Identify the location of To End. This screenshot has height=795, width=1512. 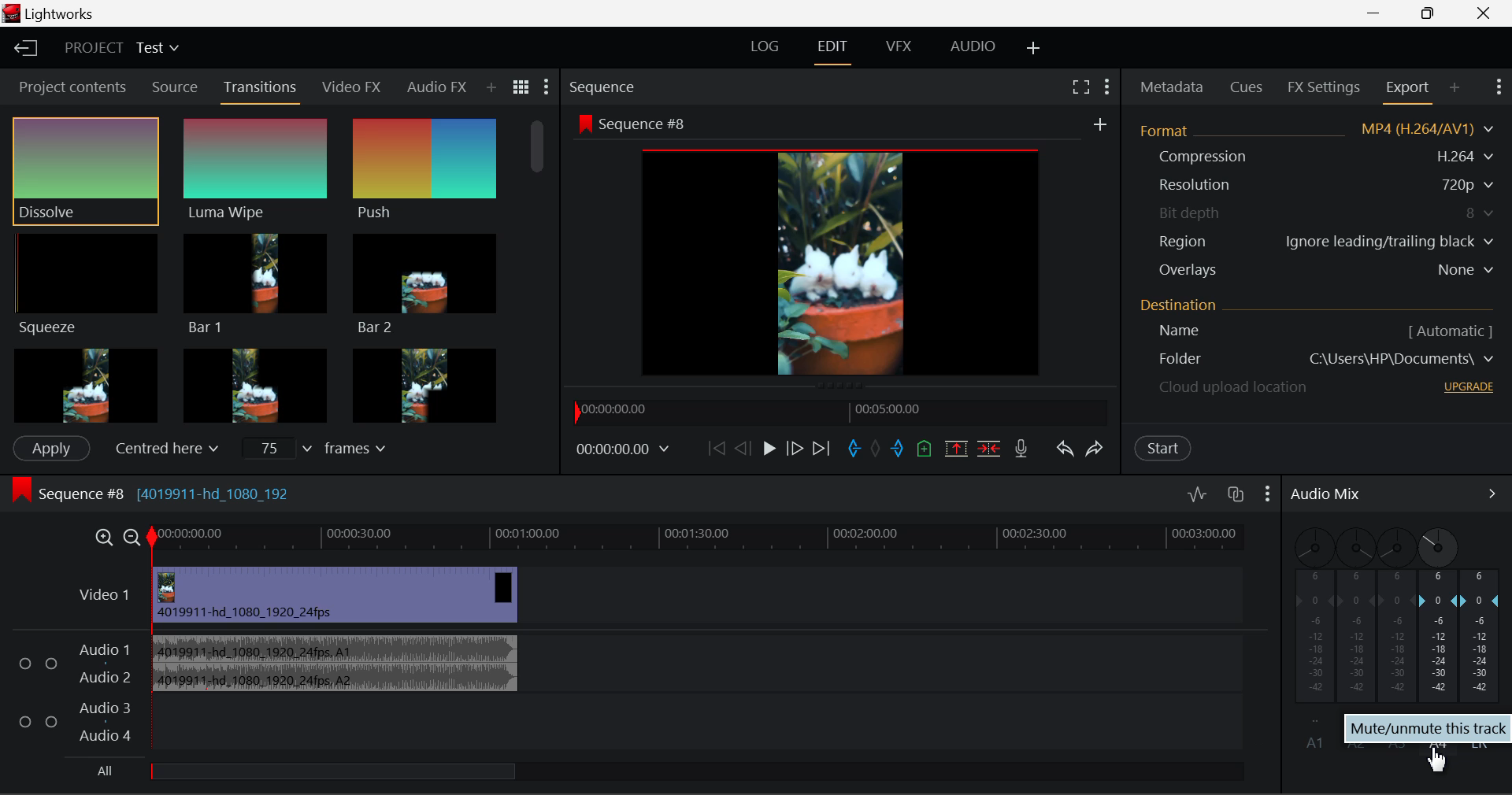
(822, 448).